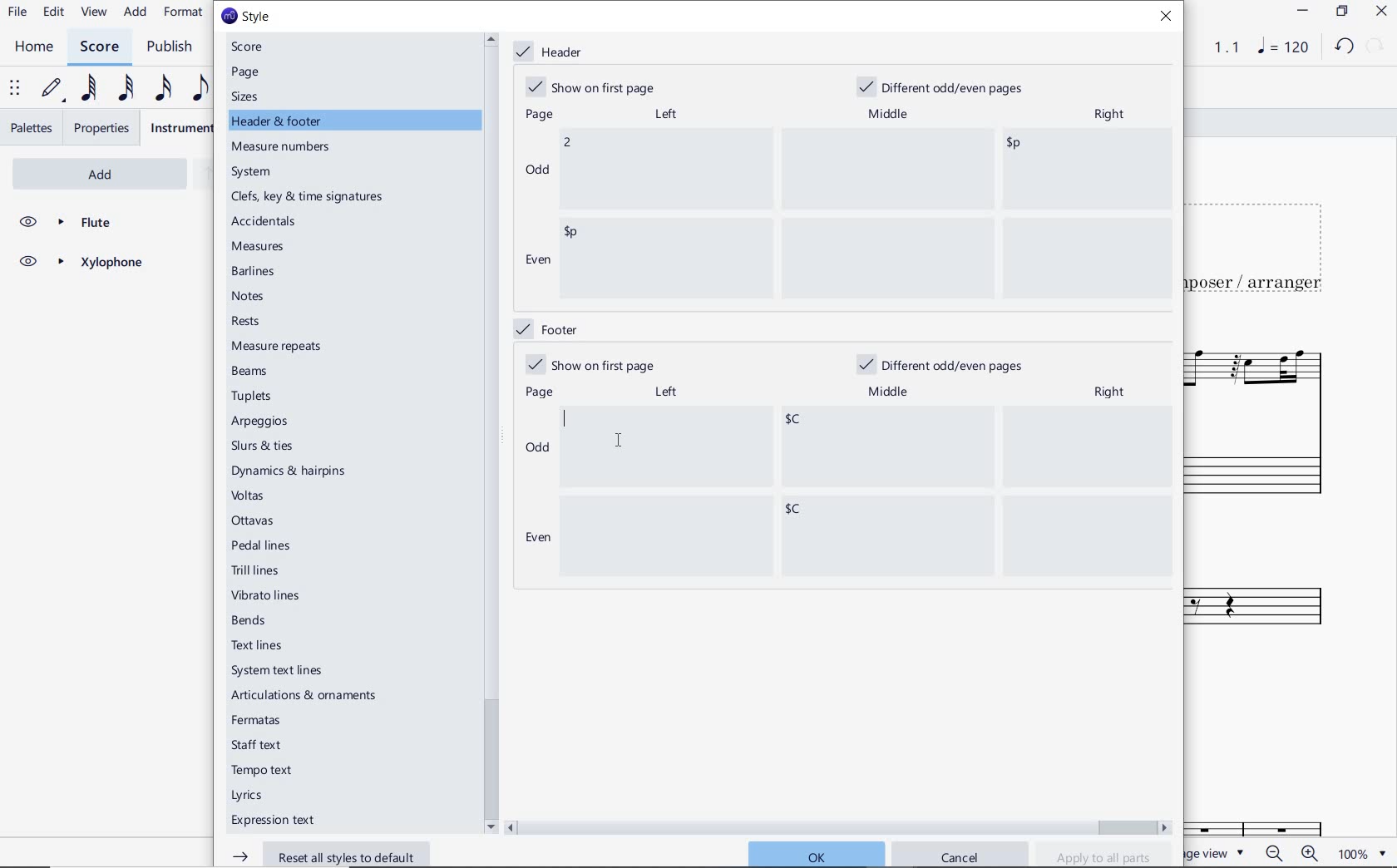  I want to click on enter data, so click(868, 492).